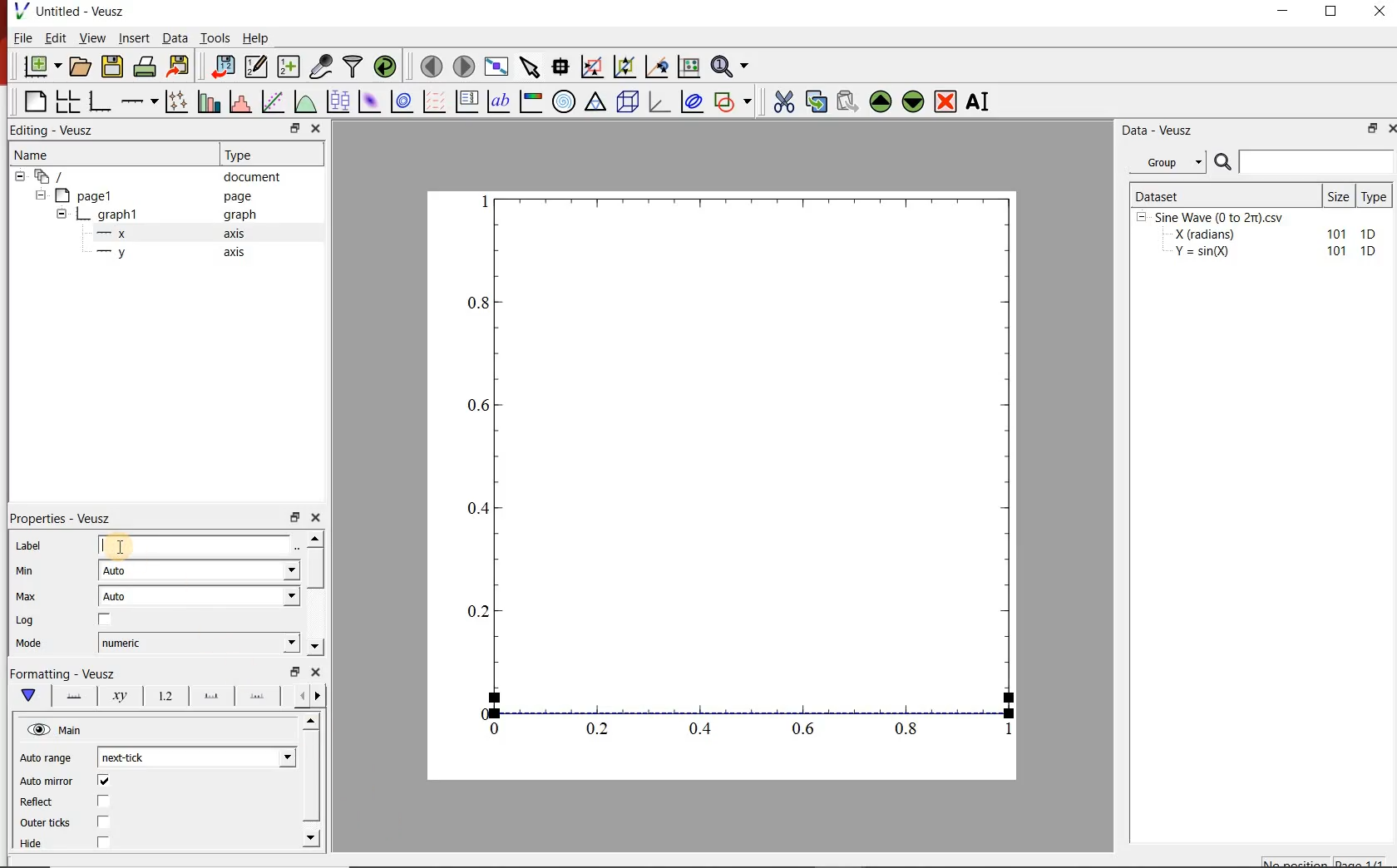 This screenshot has width=1397, height=868. What do you see at coordinates (71, 694) in the screenshot?
I see `options` at bounding box center [71, 694].